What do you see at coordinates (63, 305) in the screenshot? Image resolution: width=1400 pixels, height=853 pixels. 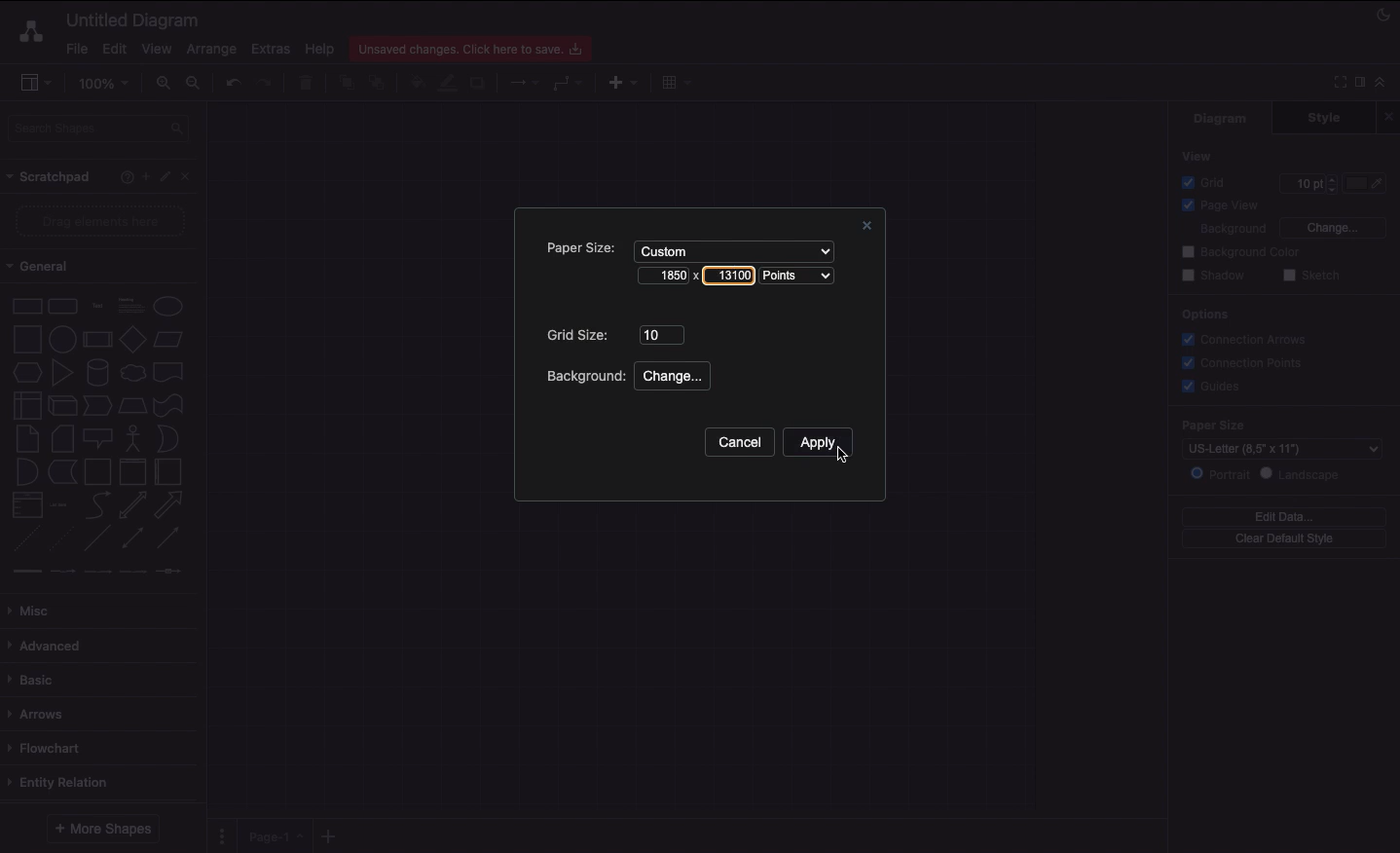 I see `Rounded rectangle` at bounding box center [63, 305].